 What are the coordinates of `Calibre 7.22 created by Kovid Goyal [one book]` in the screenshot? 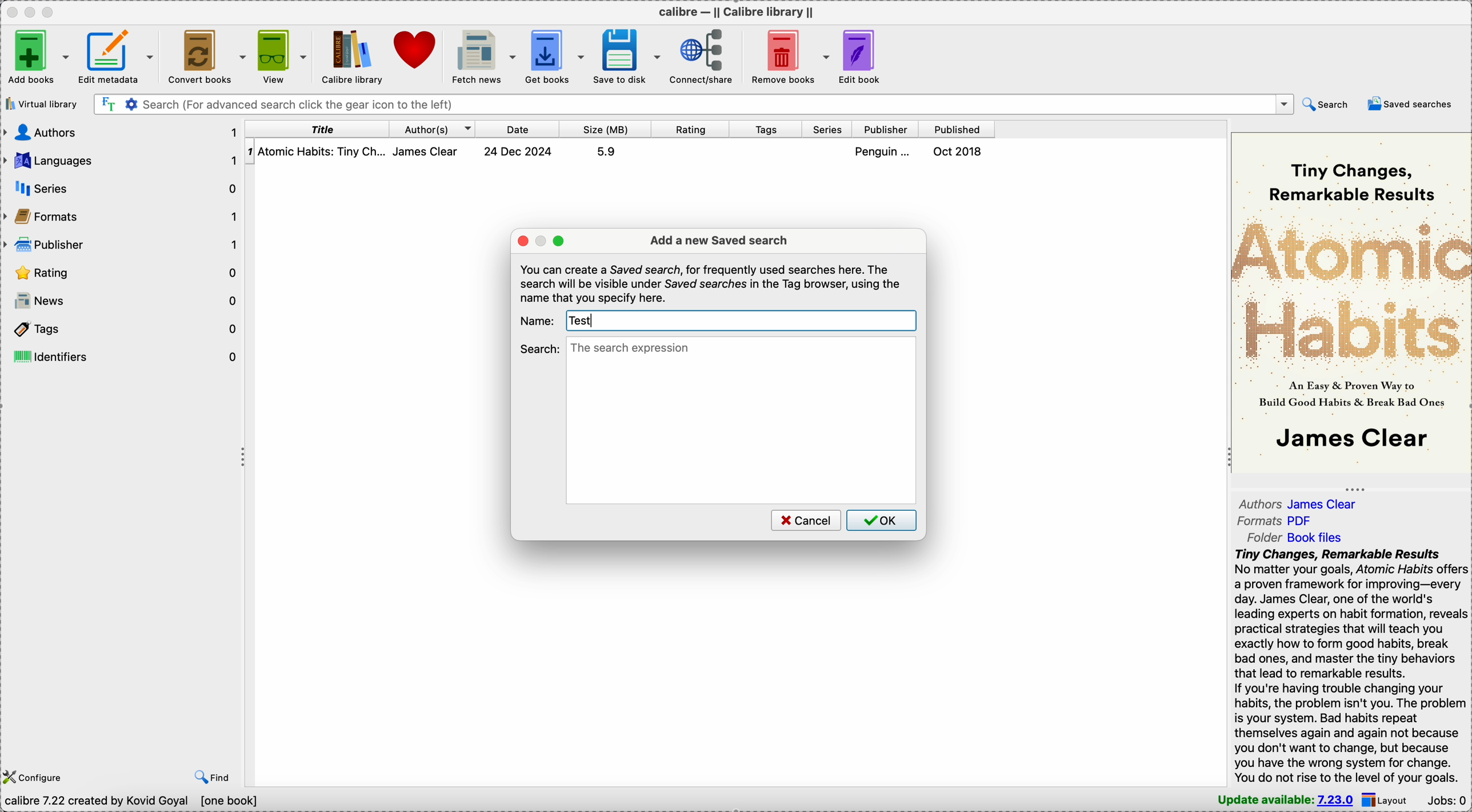 It's located at (133, 801).